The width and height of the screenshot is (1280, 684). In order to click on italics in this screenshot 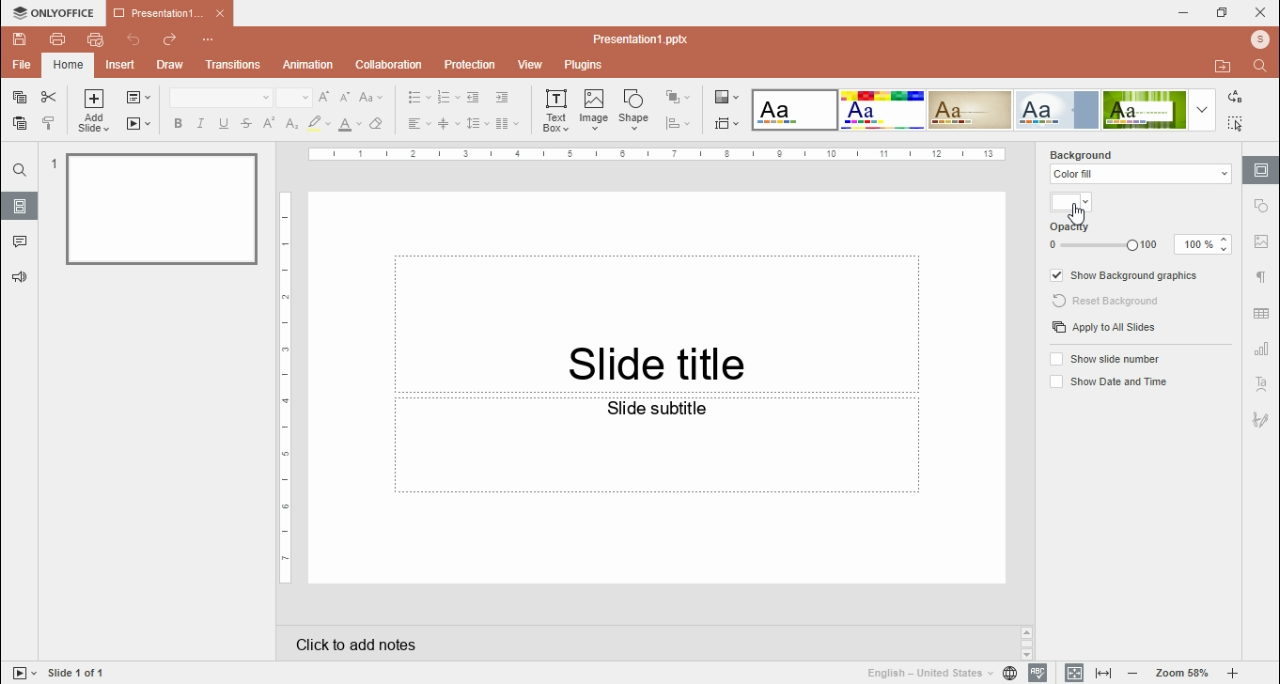, I will do `click(201, 124)`.